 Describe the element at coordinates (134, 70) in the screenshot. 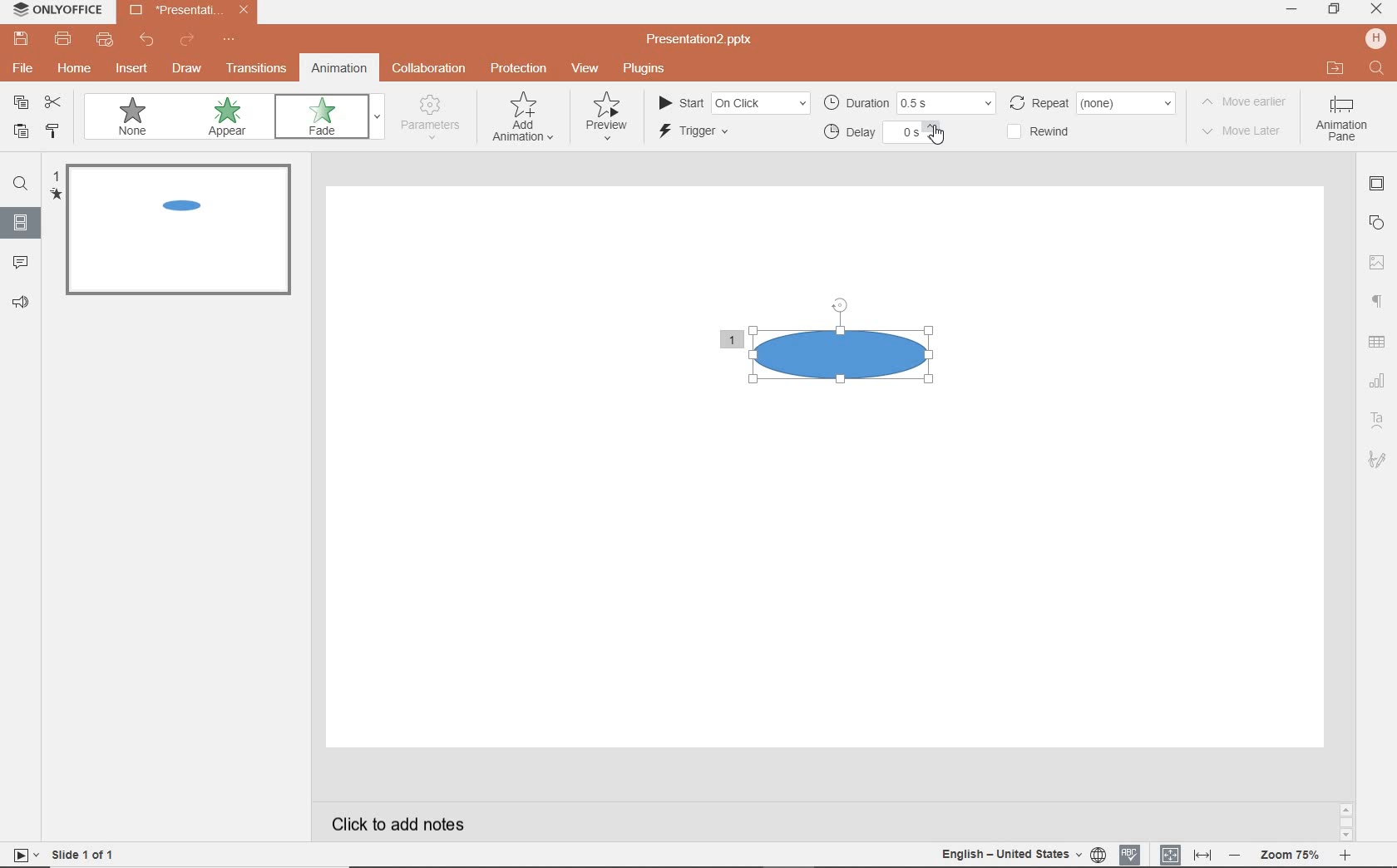

I see `insert` at that location.